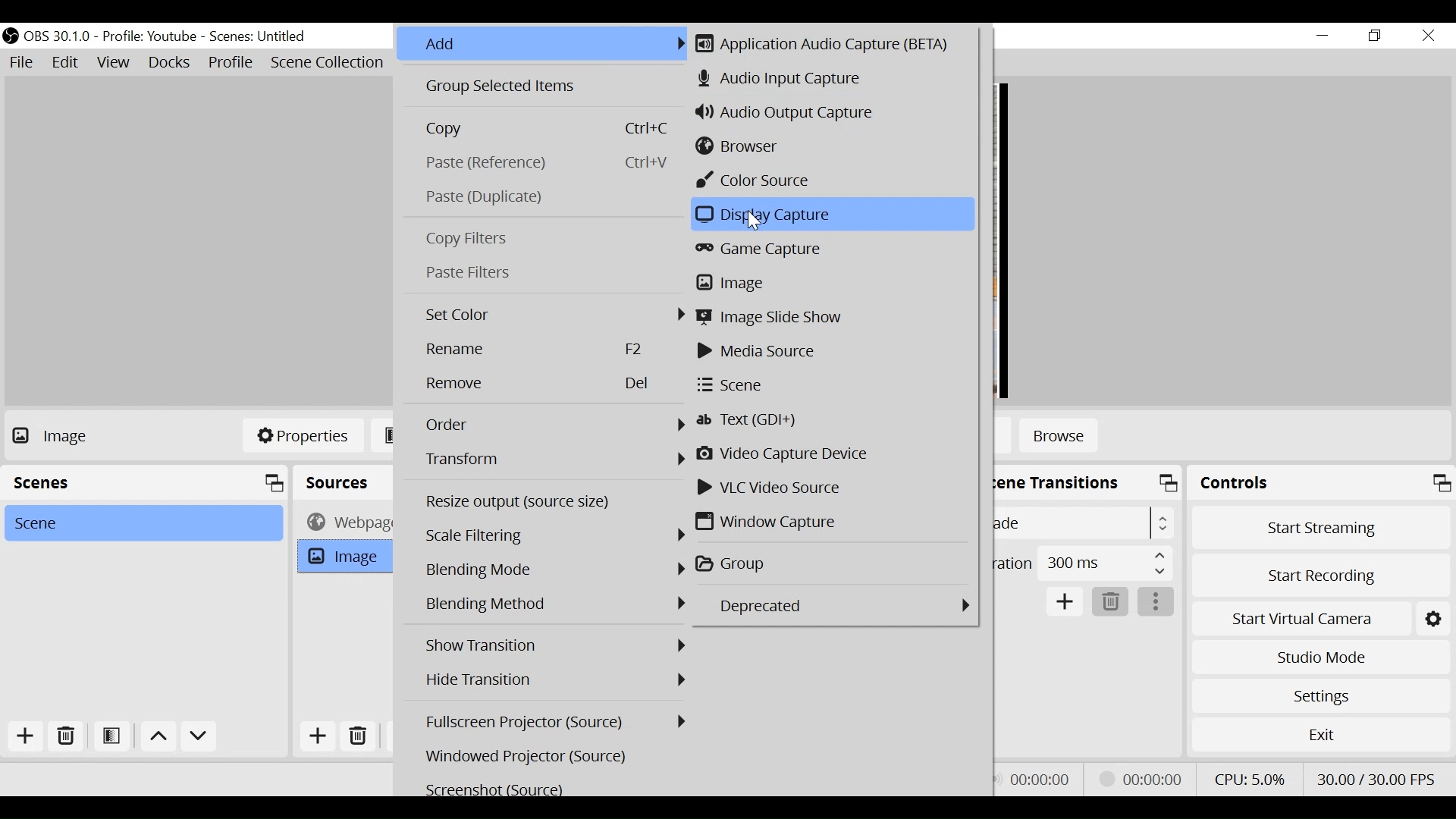 This screenshot has width=1456, height=819. What do you see at coordinates (827, 114) in the screenshot?
I see `Audio Output Capture` at bounding box center [827, 114].